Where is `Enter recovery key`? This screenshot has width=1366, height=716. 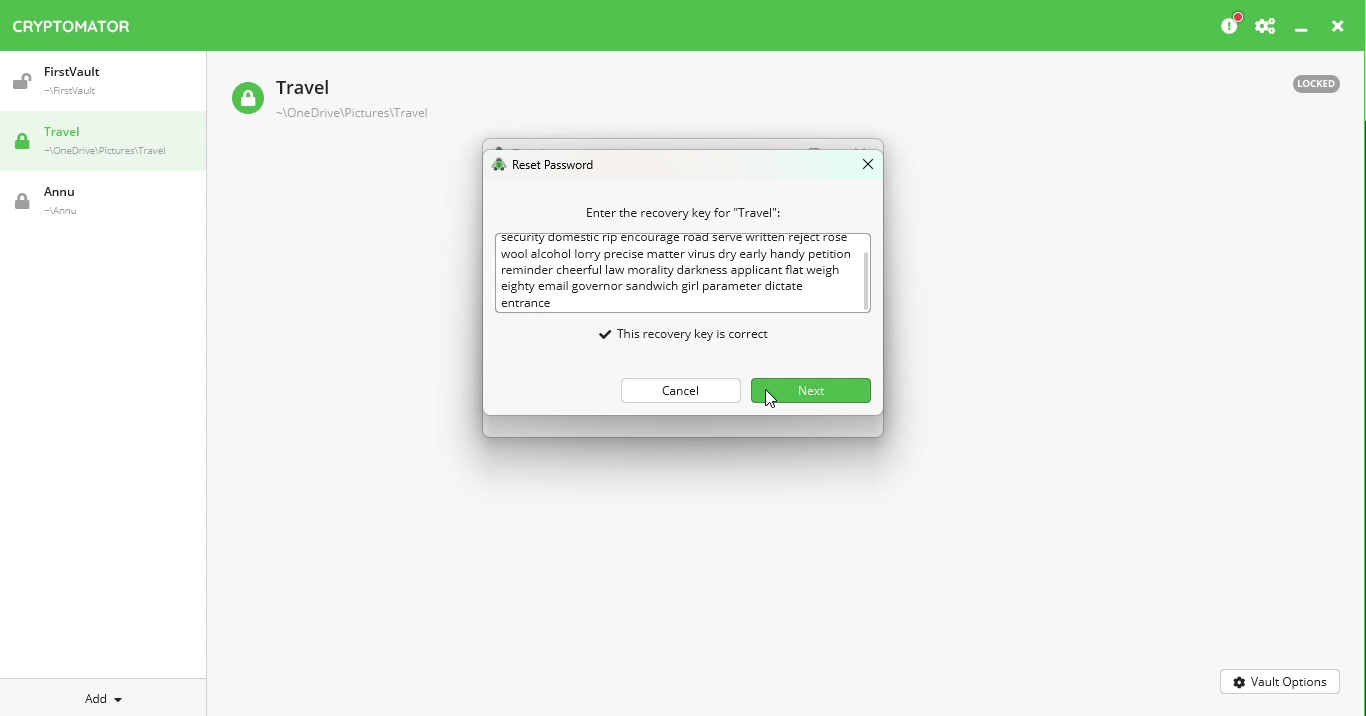 Enter recovery key is located at coordinates (674, 212).